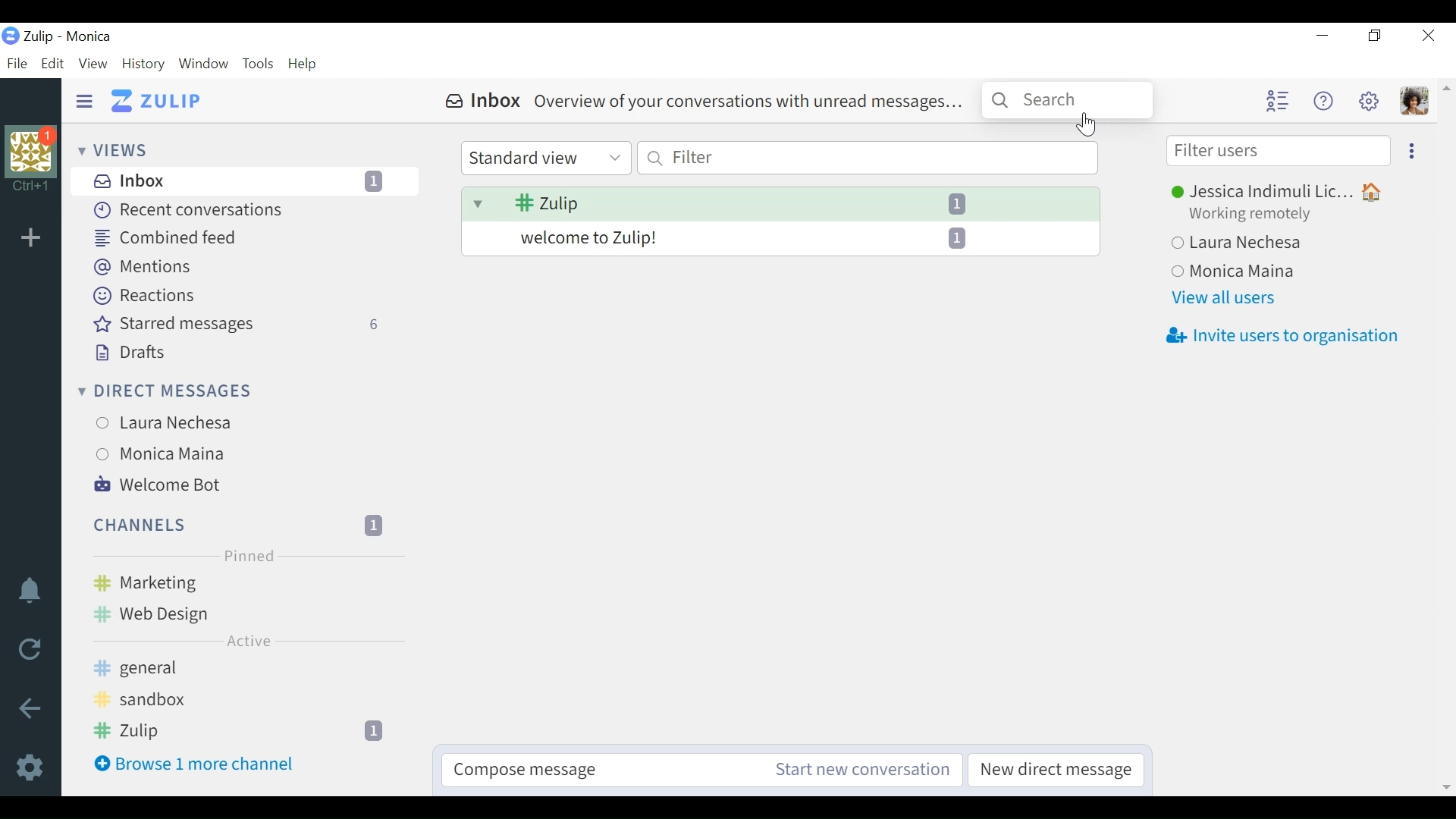  I want to click on Standard view, so click(547, 158).